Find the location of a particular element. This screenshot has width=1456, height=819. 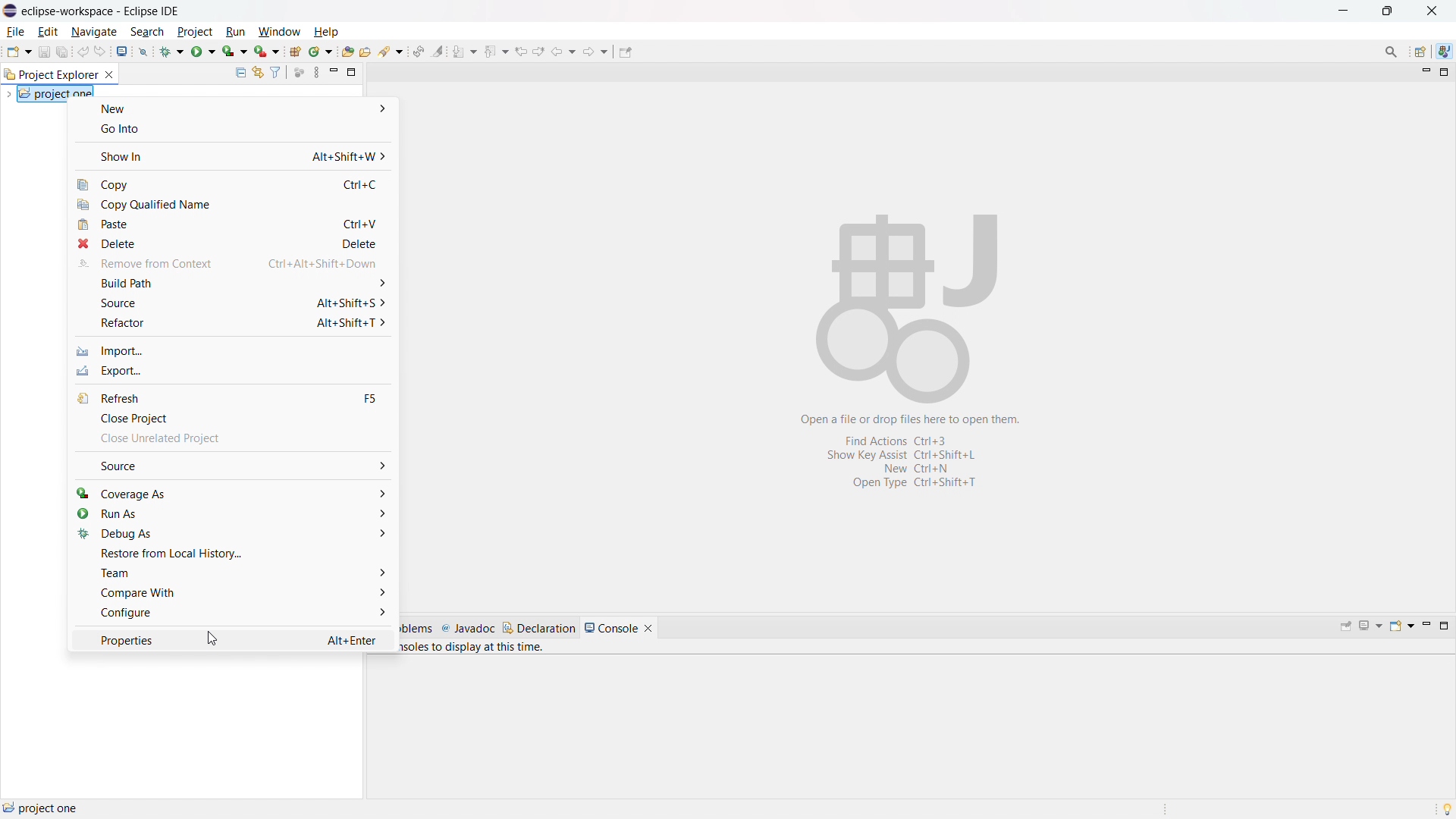

refresh is located at coordinates (233, 397).